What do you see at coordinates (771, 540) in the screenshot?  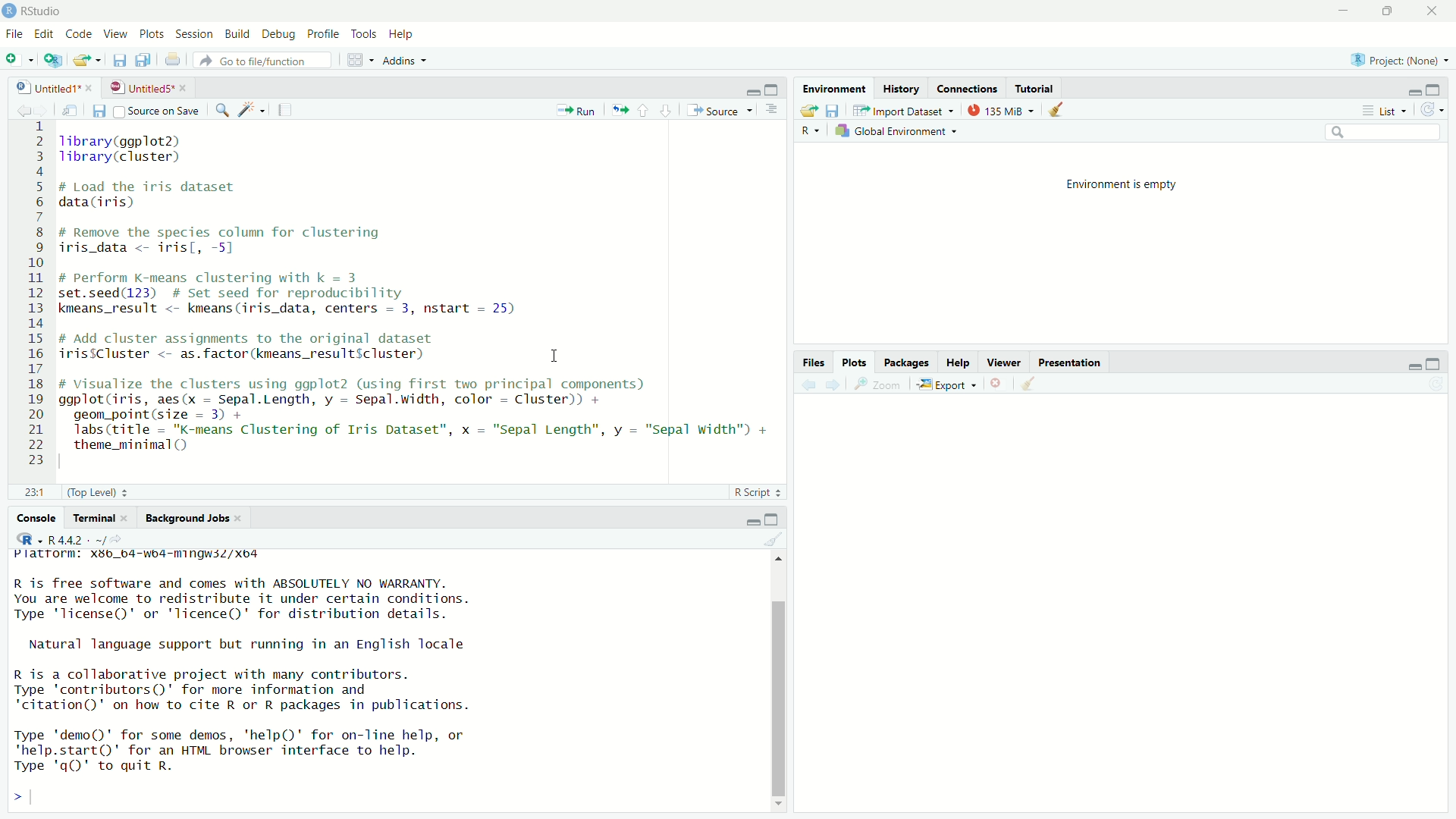 I see `clear console` at bounding box center [771, 540].